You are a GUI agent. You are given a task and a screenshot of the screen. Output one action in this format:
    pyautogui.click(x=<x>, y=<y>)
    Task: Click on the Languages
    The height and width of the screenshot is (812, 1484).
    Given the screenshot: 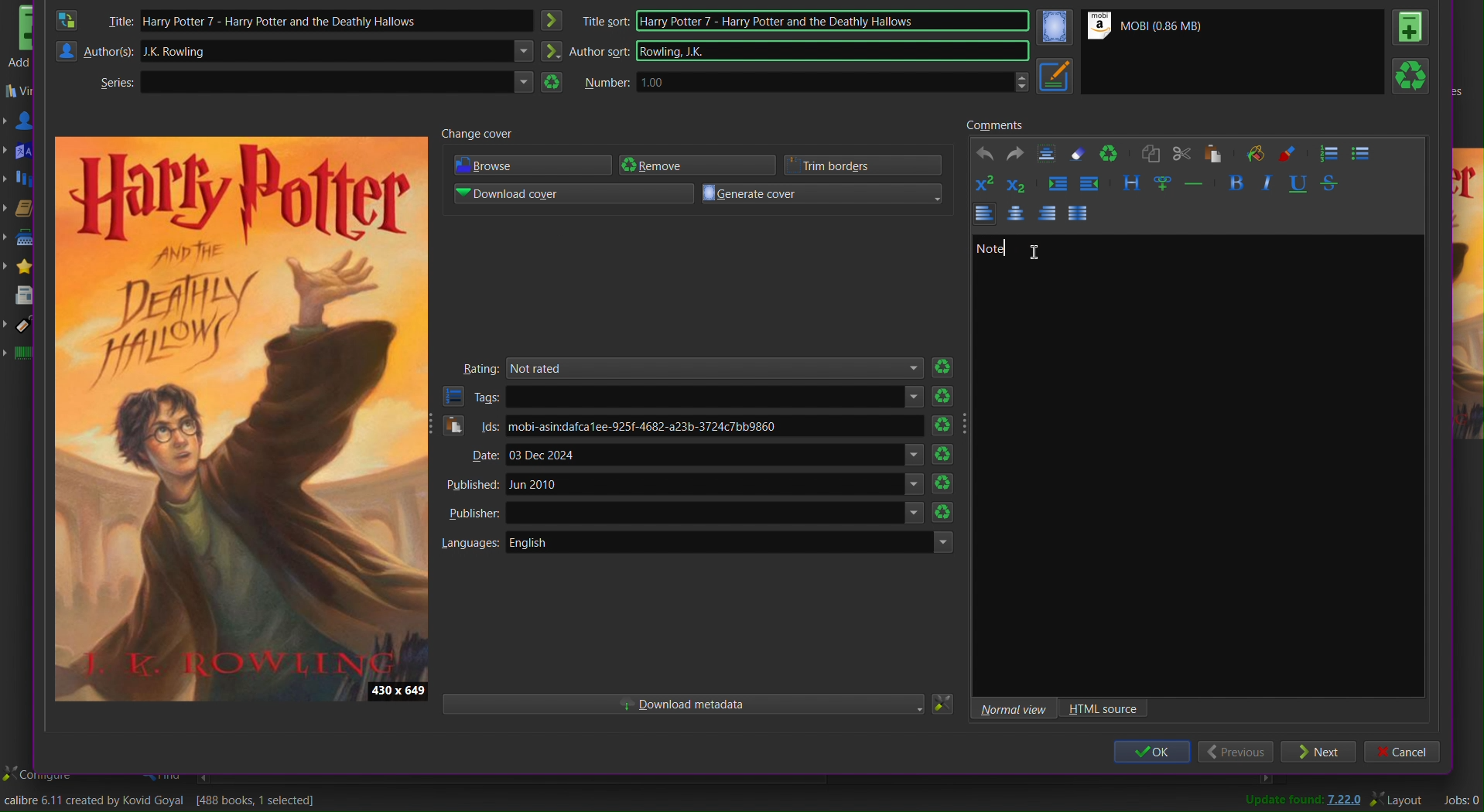 What is the action you would take?
    pyautogui.click(x=470, y=544)
    